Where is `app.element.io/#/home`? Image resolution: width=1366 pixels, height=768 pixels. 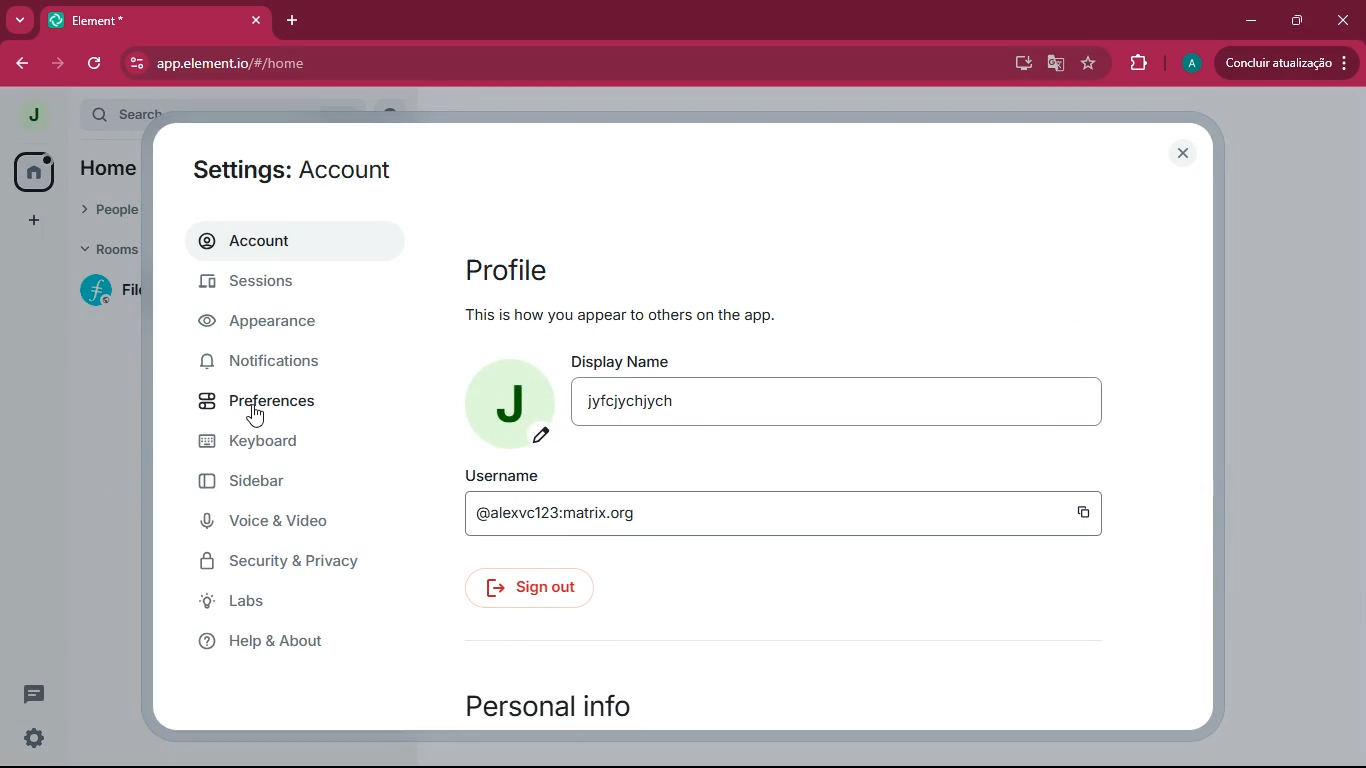 app.element.io/#/home is located at coordinates (355, 65).